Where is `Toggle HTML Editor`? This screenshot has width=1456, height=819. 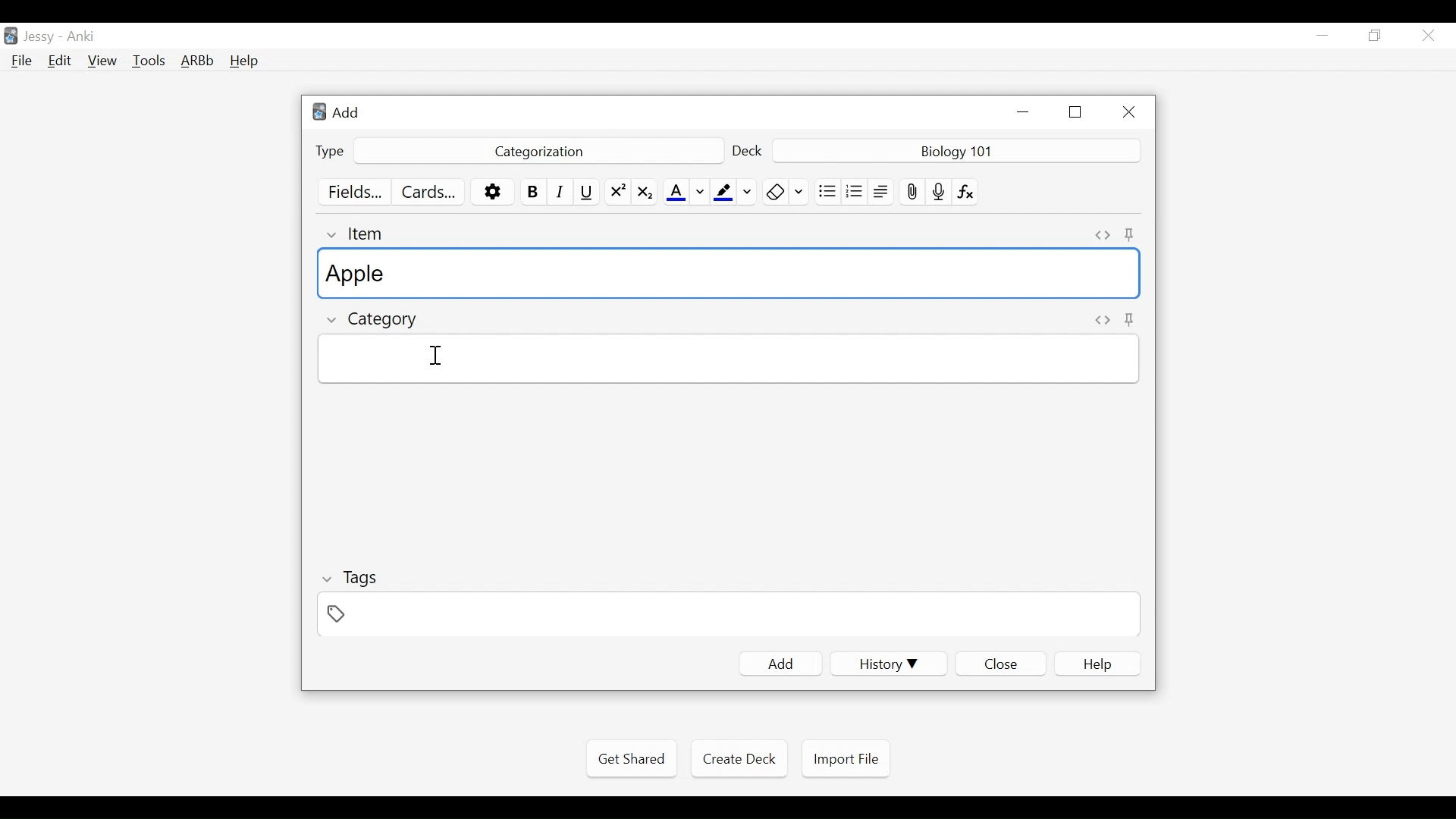
Toggle HTML Editor is located at coordinates (1103, 322).